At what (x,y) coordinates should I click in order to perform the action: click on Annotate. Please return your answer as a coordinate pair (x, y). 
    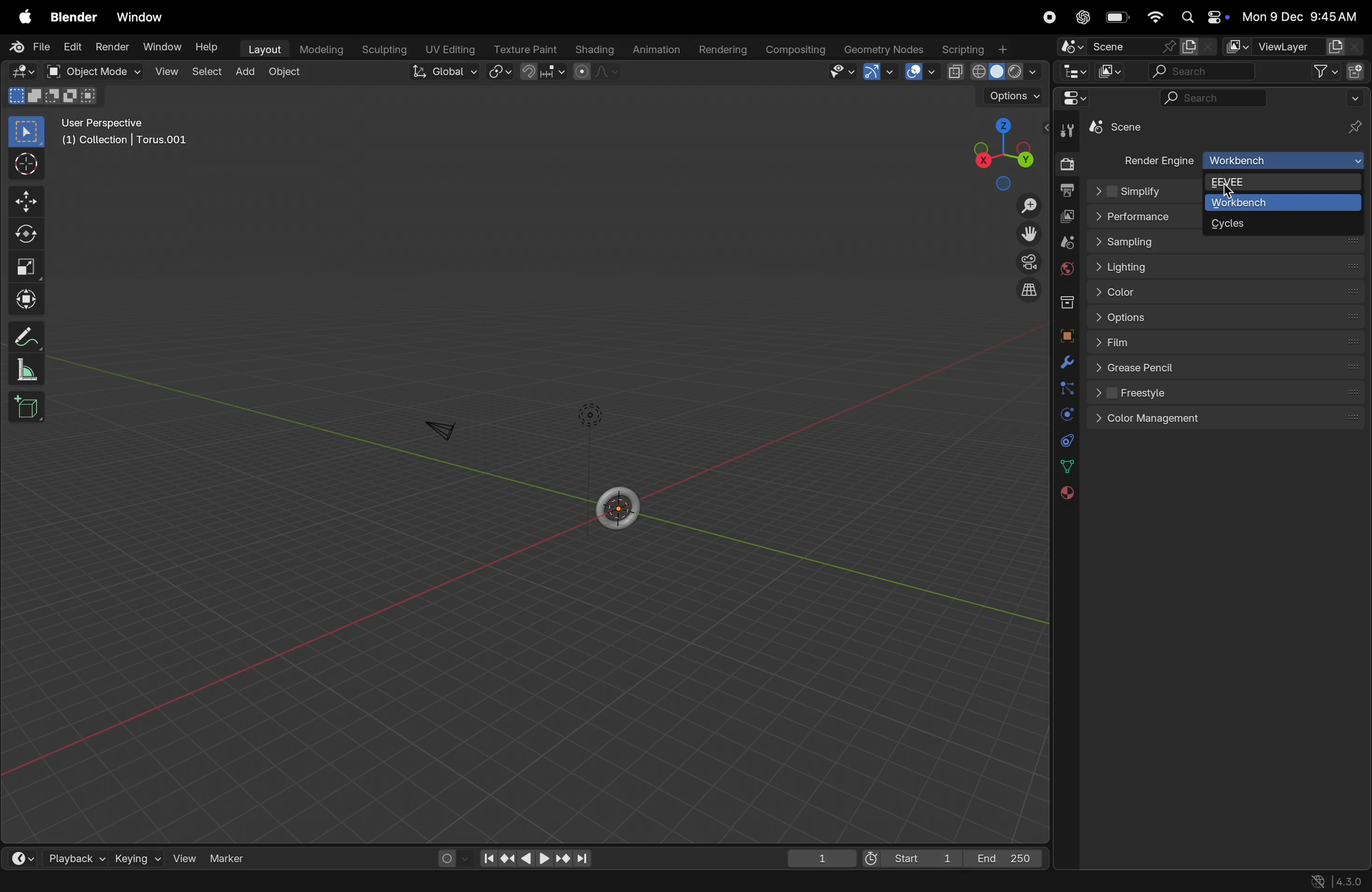
    Looking at the image, I should click on (28, 336).